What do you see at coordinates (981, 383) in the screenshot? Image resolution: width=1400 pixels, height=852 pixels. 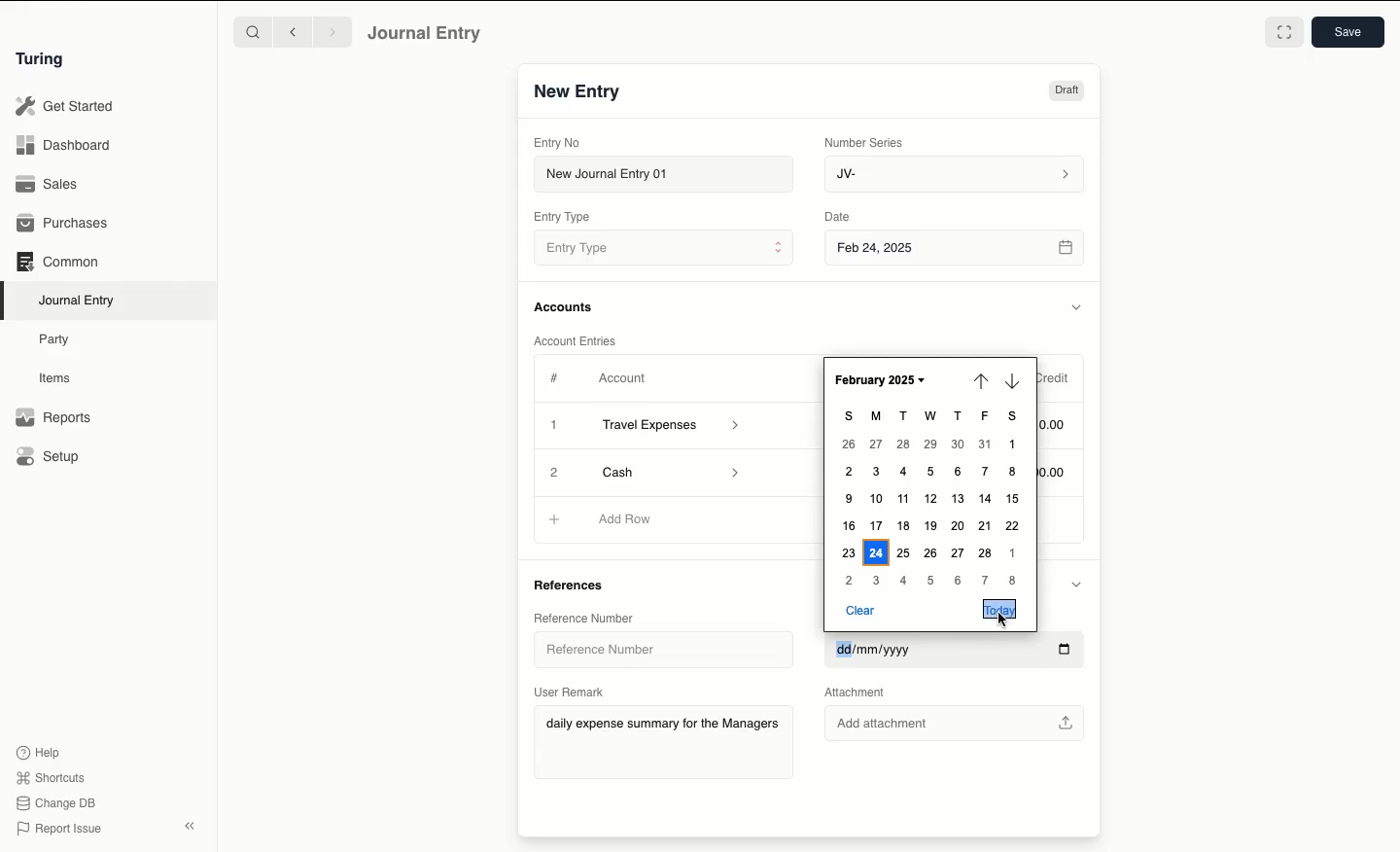 I see `Previous` at bounding box center [981, 383].